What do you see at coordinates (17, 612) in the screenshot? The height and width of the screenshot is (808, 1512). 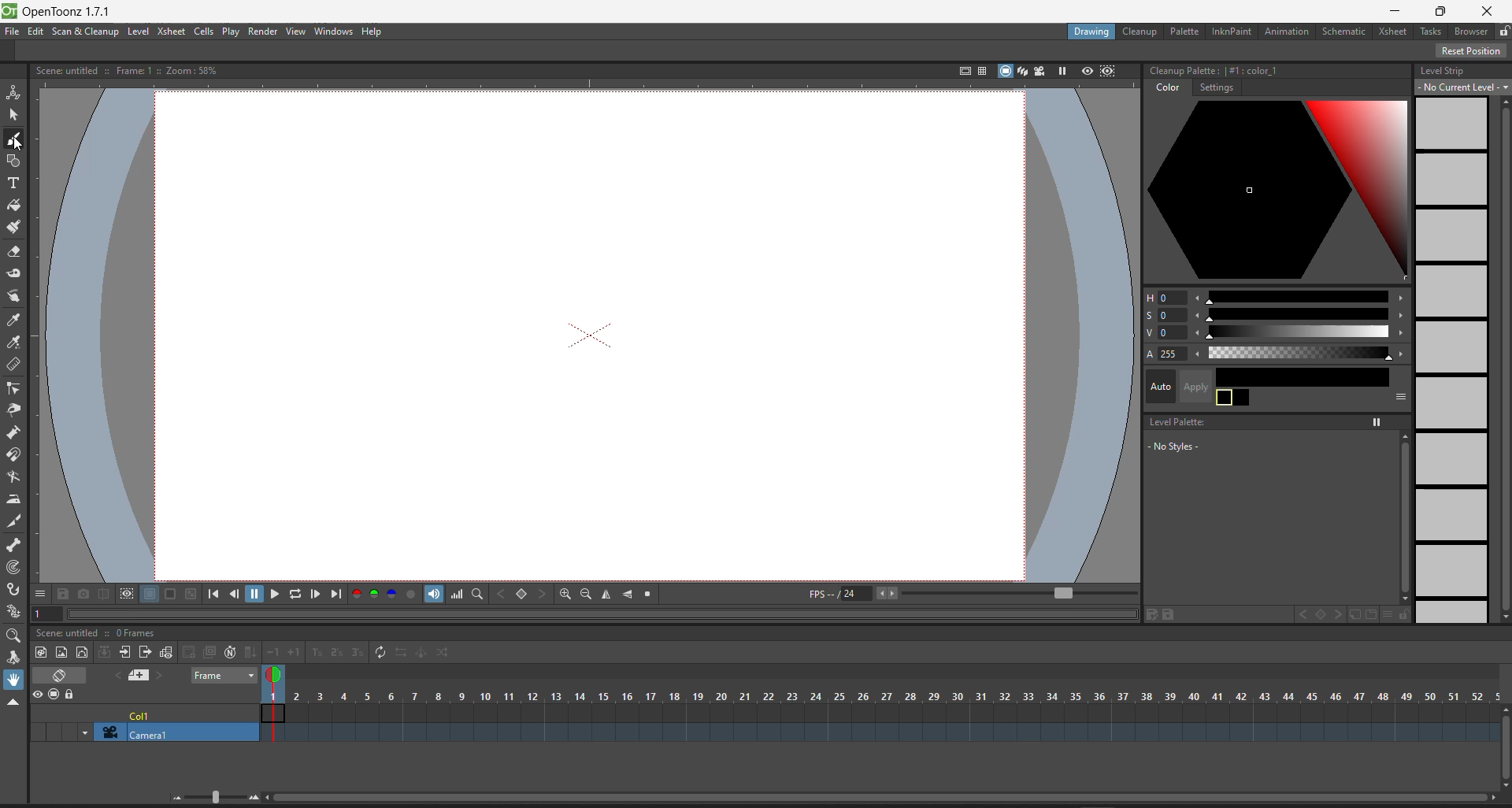 I see `plastic tool` at bounding box center [17, 612].